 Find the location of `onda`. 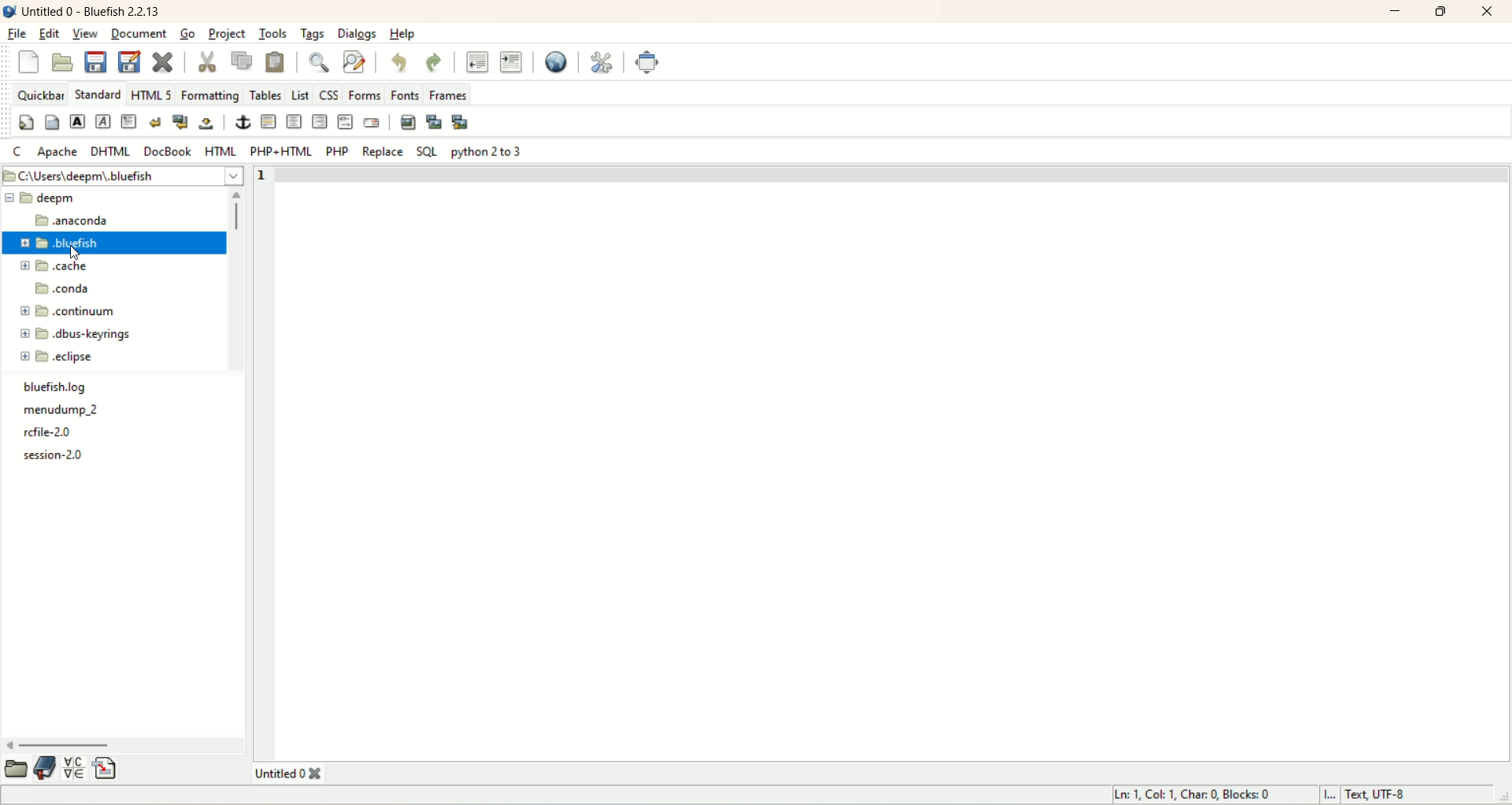

onda is located at coordinates (65, 288).